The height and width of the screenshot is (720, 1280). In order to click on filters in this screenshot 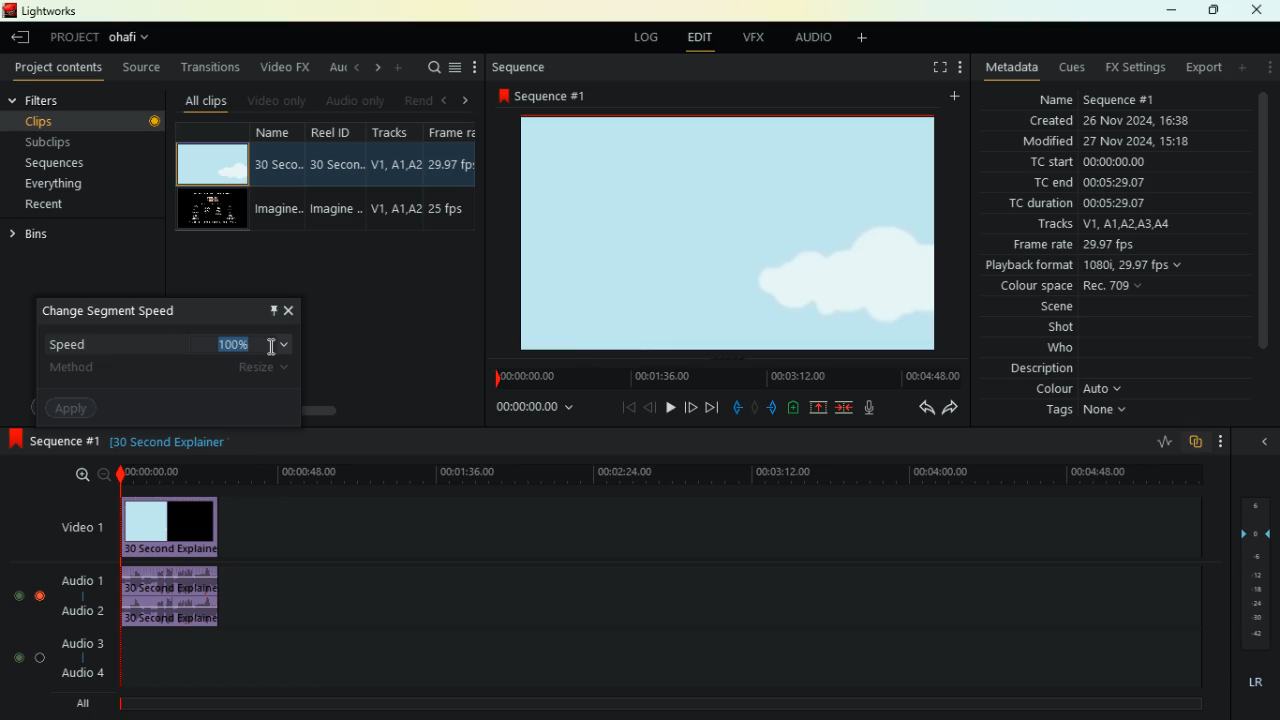, I will do `click(57, 99)`.